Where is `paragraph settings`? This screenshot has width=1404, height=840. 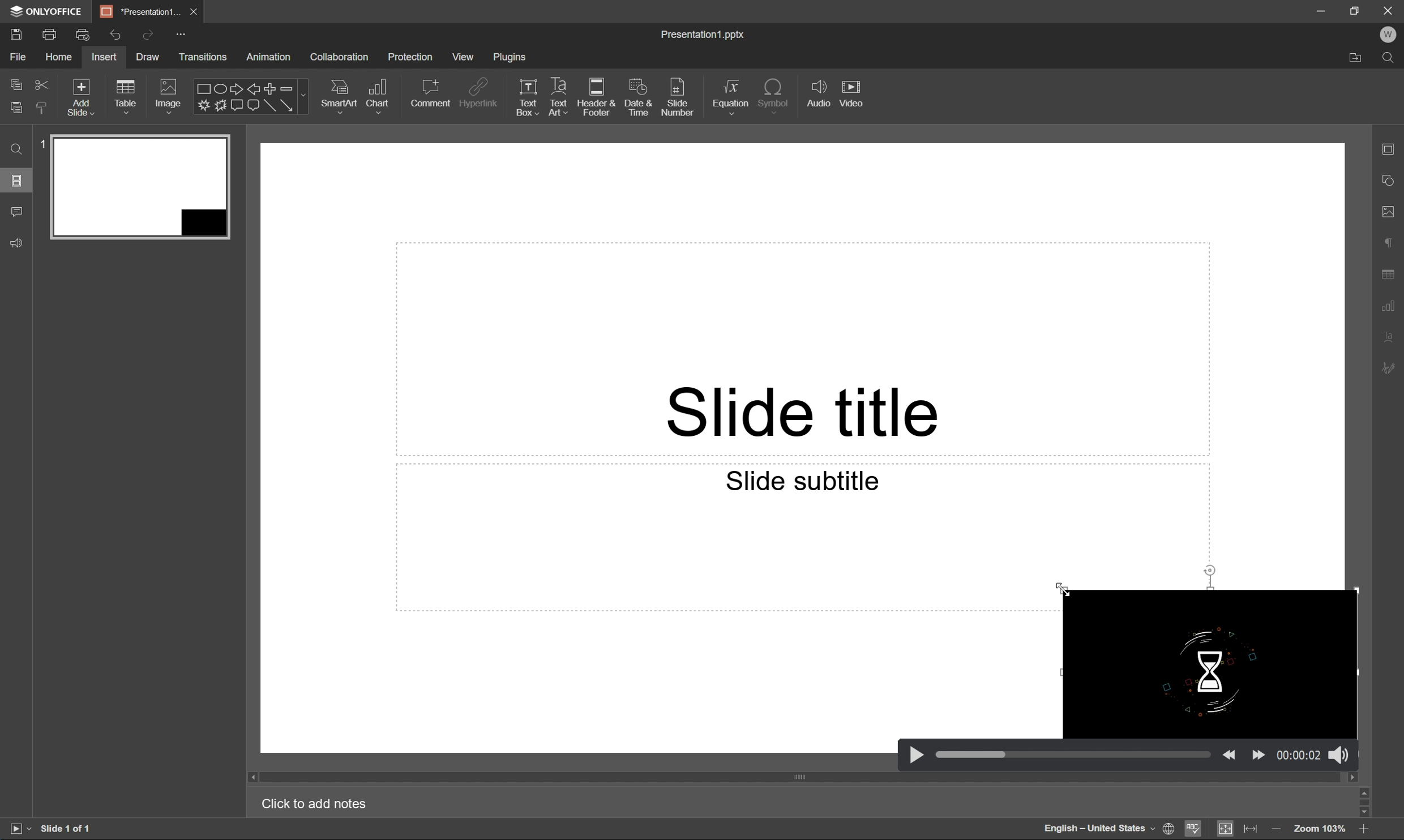 paragraph settings is located at coordinates (1389, 239).